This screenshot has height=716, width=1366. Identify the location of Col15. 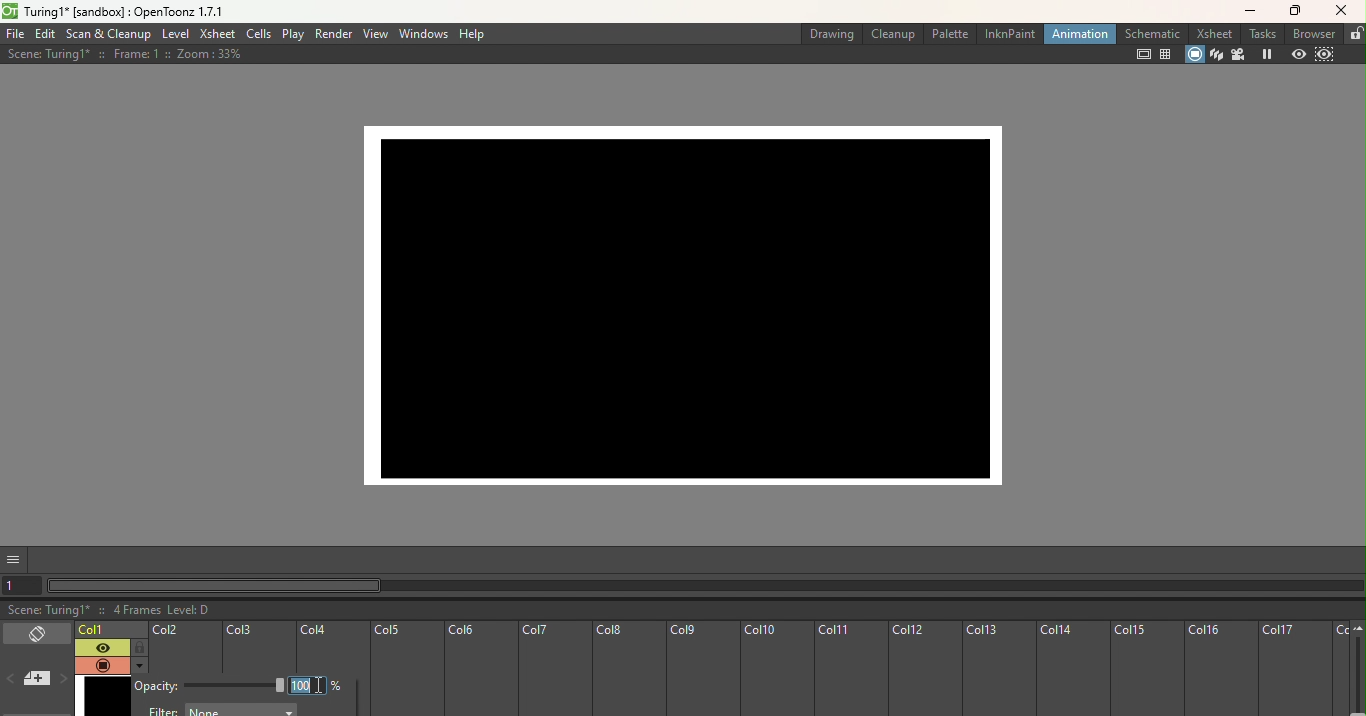
(1148, 669).